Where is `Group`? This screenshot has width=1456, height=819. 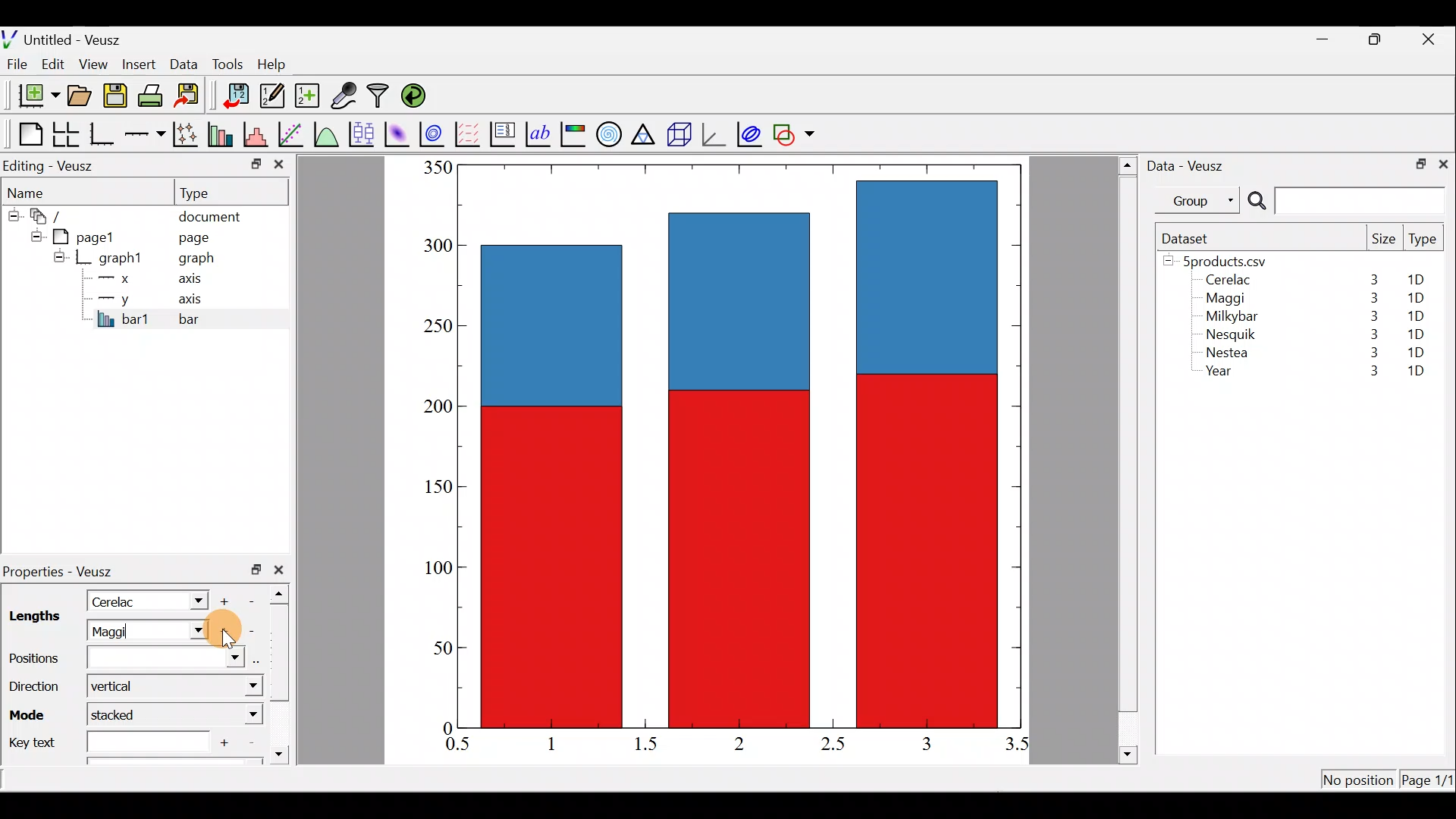
Group is located at coordinates (1200, 199).